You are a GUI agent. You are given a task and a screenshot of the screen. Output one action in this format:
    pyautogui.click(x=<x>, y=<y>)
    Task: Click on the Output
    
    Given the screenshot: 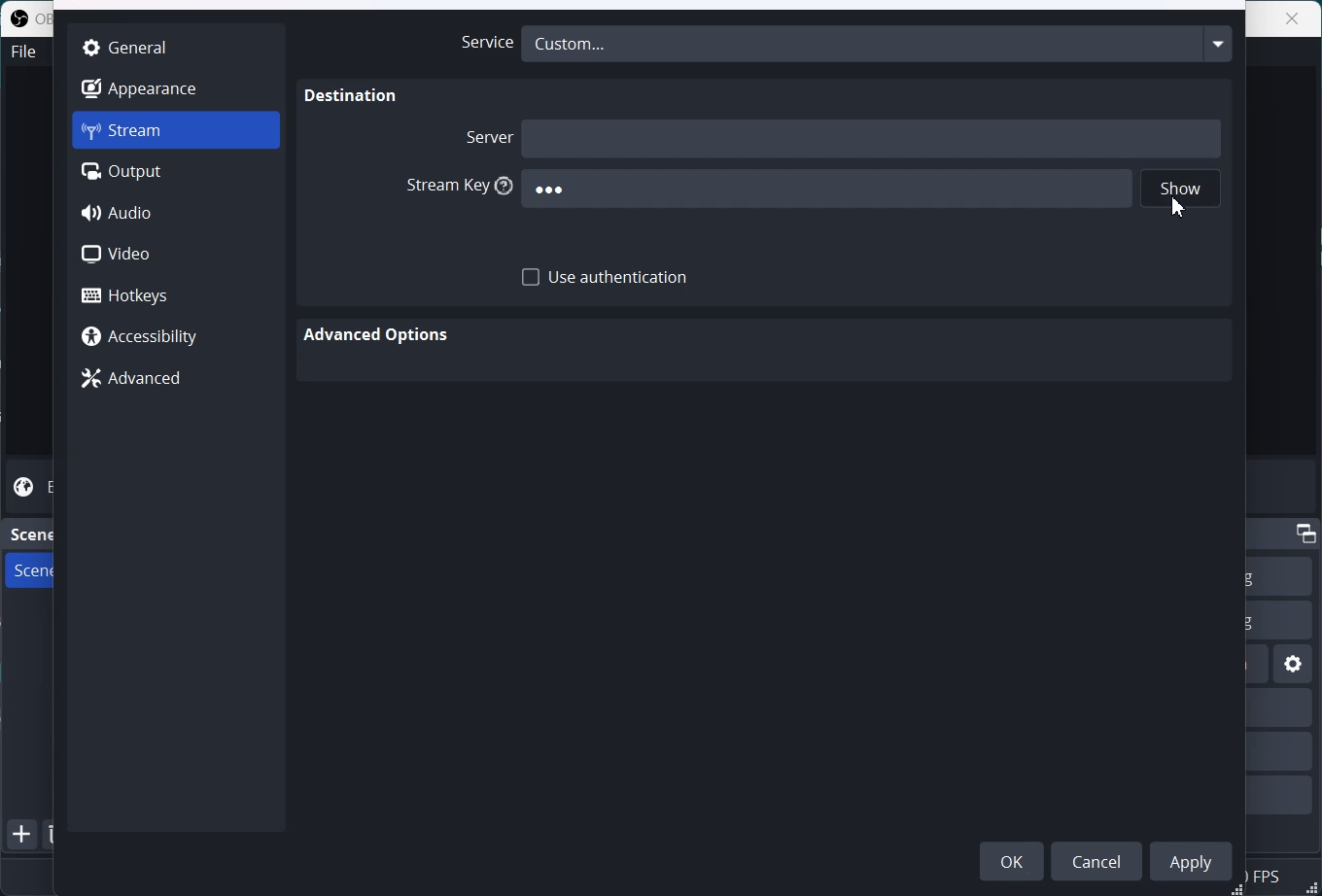 What is the action you would take?
    pyautogui.click(x=176, y=172)
    